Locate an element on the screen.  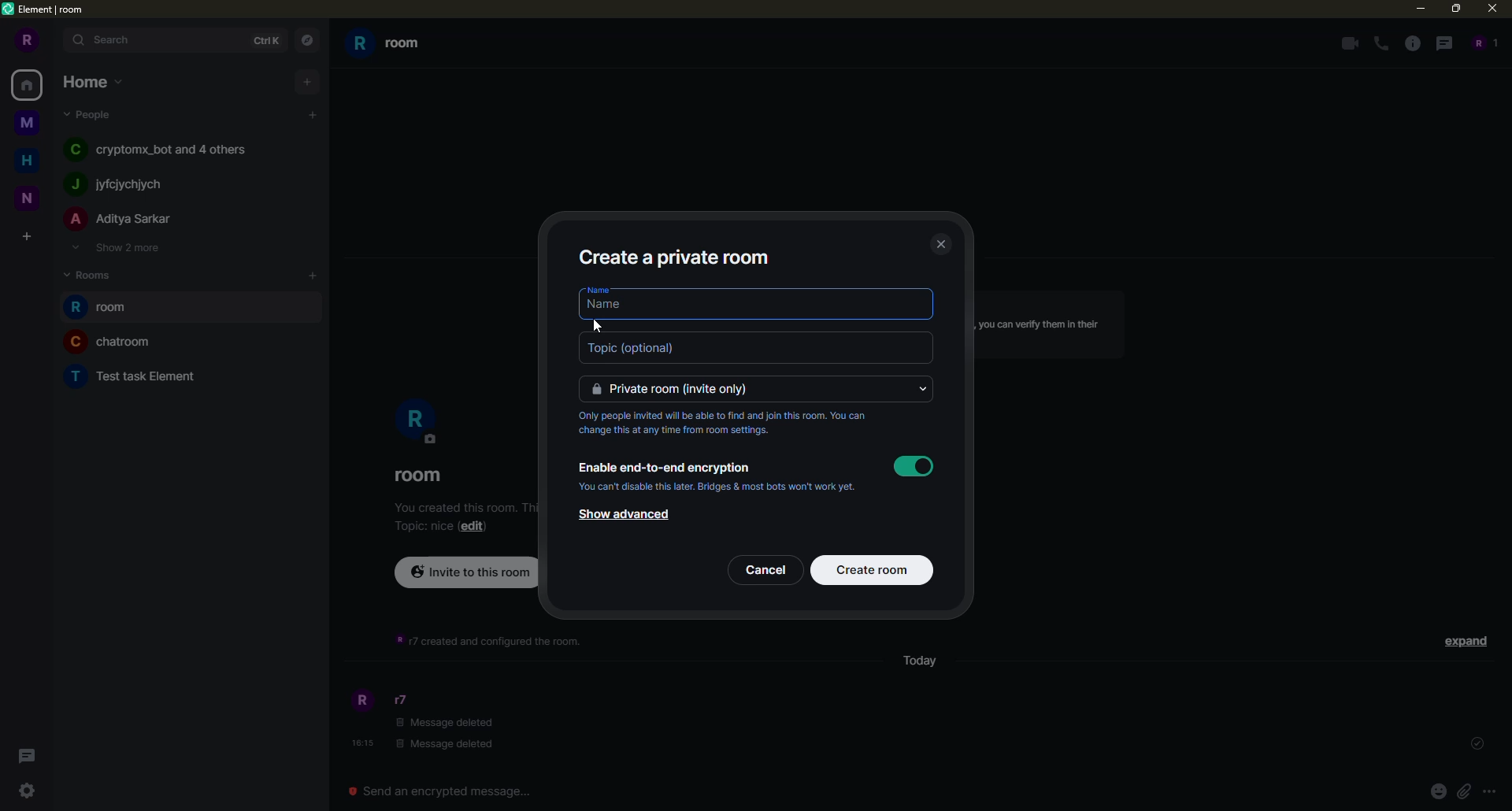
enable is located at coordinates (912, 466).